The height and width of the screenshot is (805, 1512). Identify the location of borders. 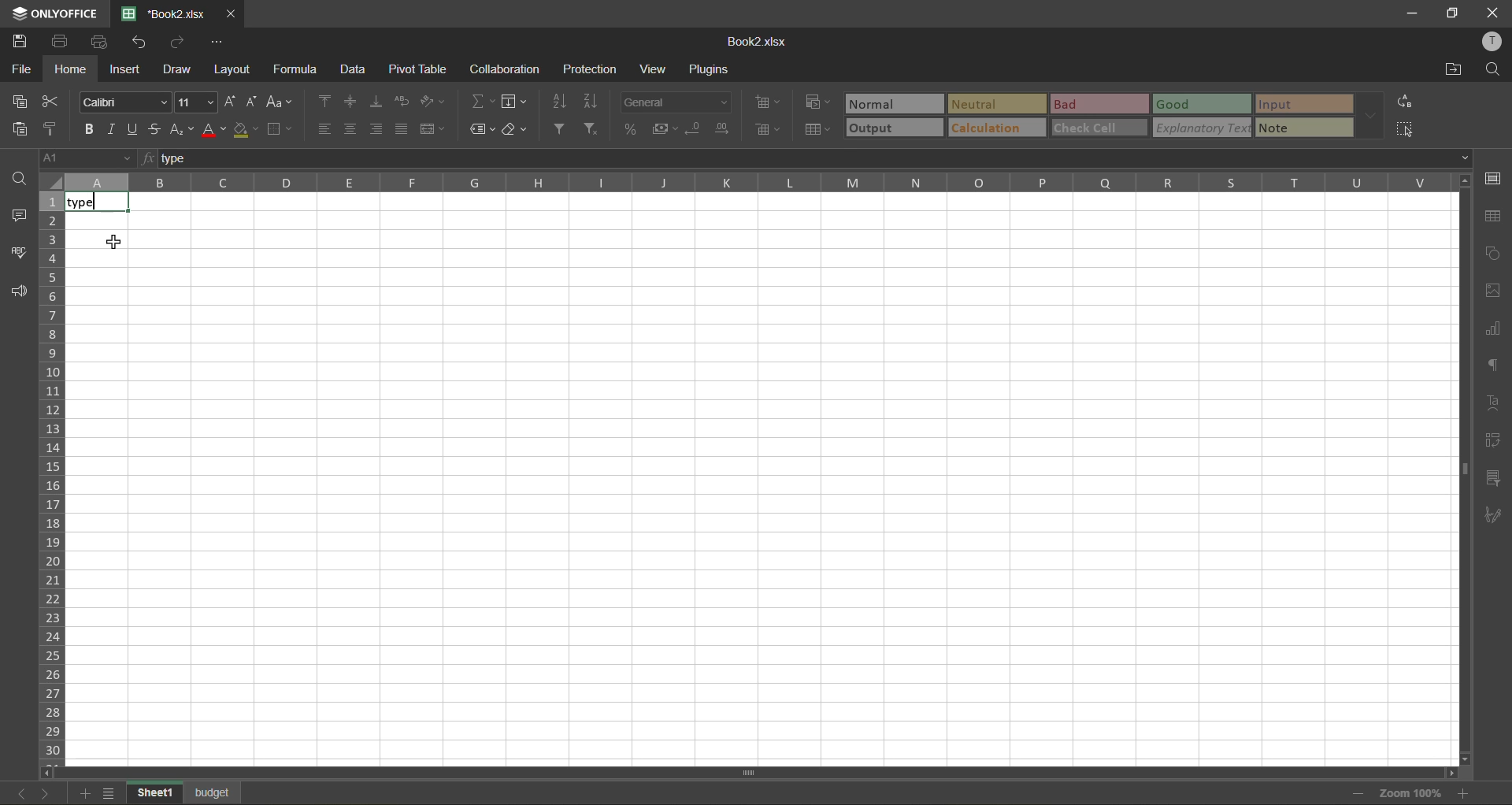
(279, 129).